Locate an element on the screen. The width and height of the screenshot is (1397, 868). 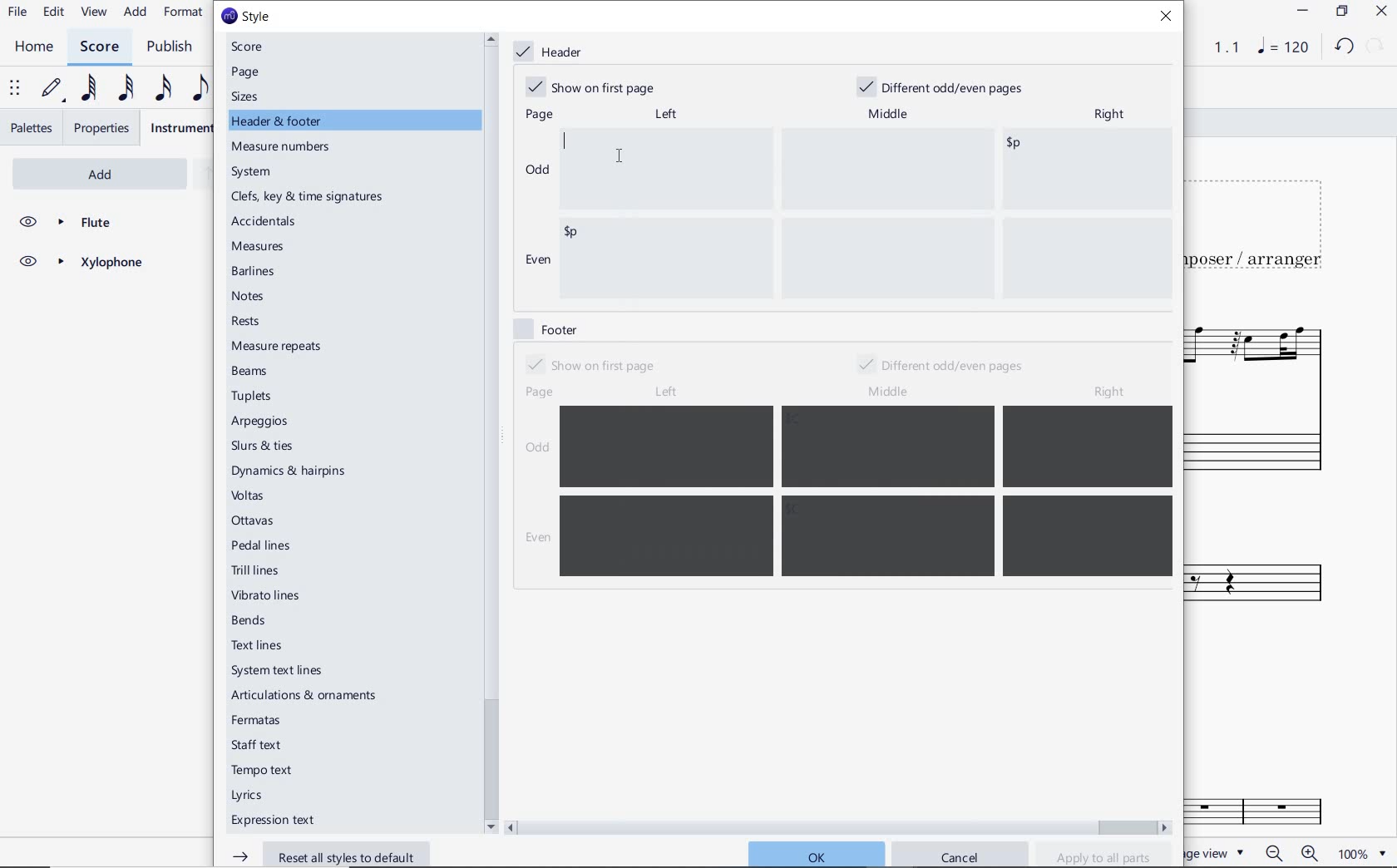
CLOSE is located at coordinates (1380, 11).